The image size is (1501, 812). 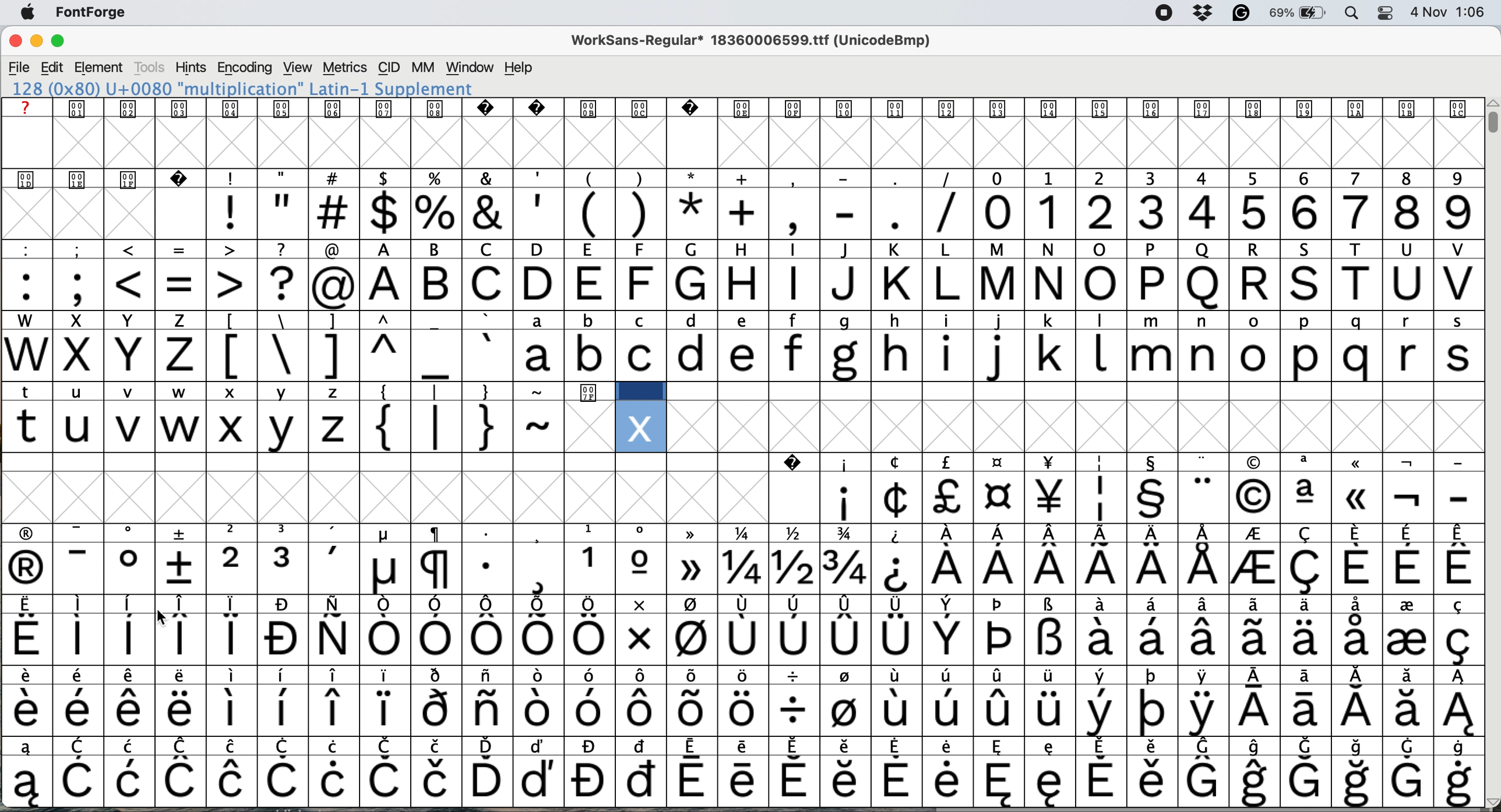 I want to click on WorkSans-Regular 18360006599.ttf (UnicodeBmp), so click(x=756, y=43).